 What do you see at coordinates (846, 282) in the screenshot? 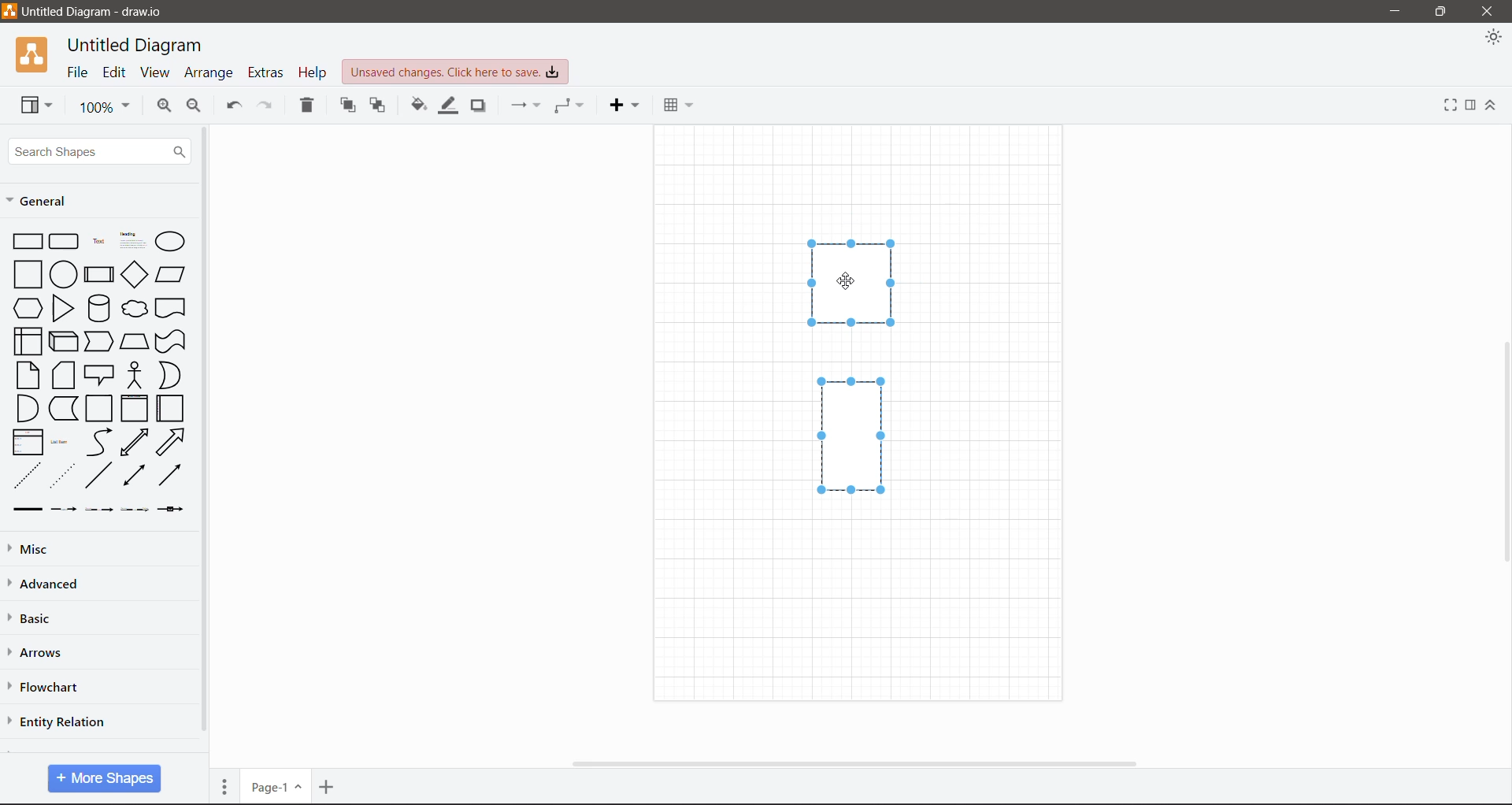
I see `Cursor` at bounding box center [846, 282].